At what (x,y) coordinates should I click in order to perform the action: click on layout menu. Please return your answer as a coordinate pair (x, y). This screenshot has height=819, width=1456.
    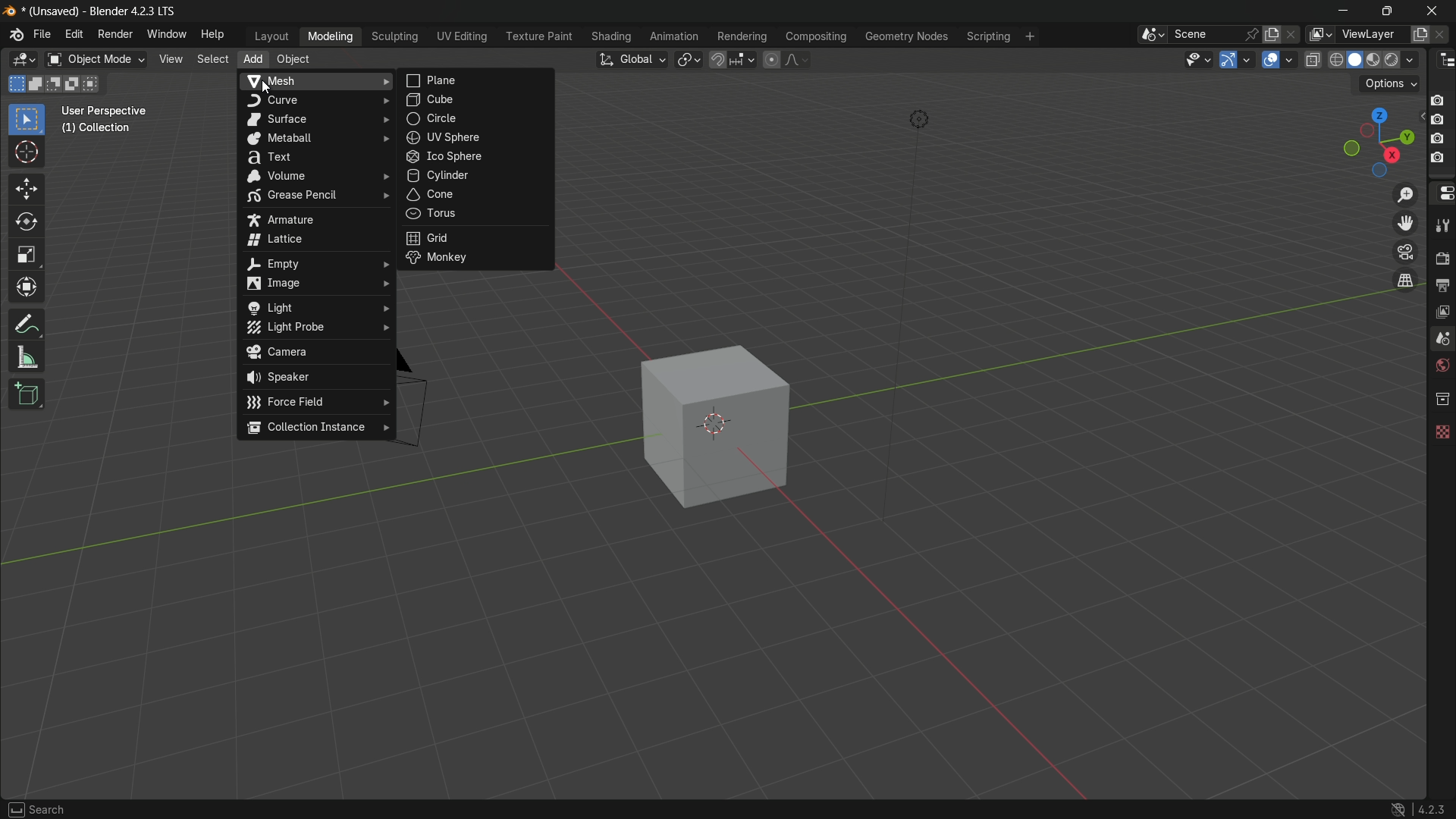
    Looking at the image, I should click on (270, 36).